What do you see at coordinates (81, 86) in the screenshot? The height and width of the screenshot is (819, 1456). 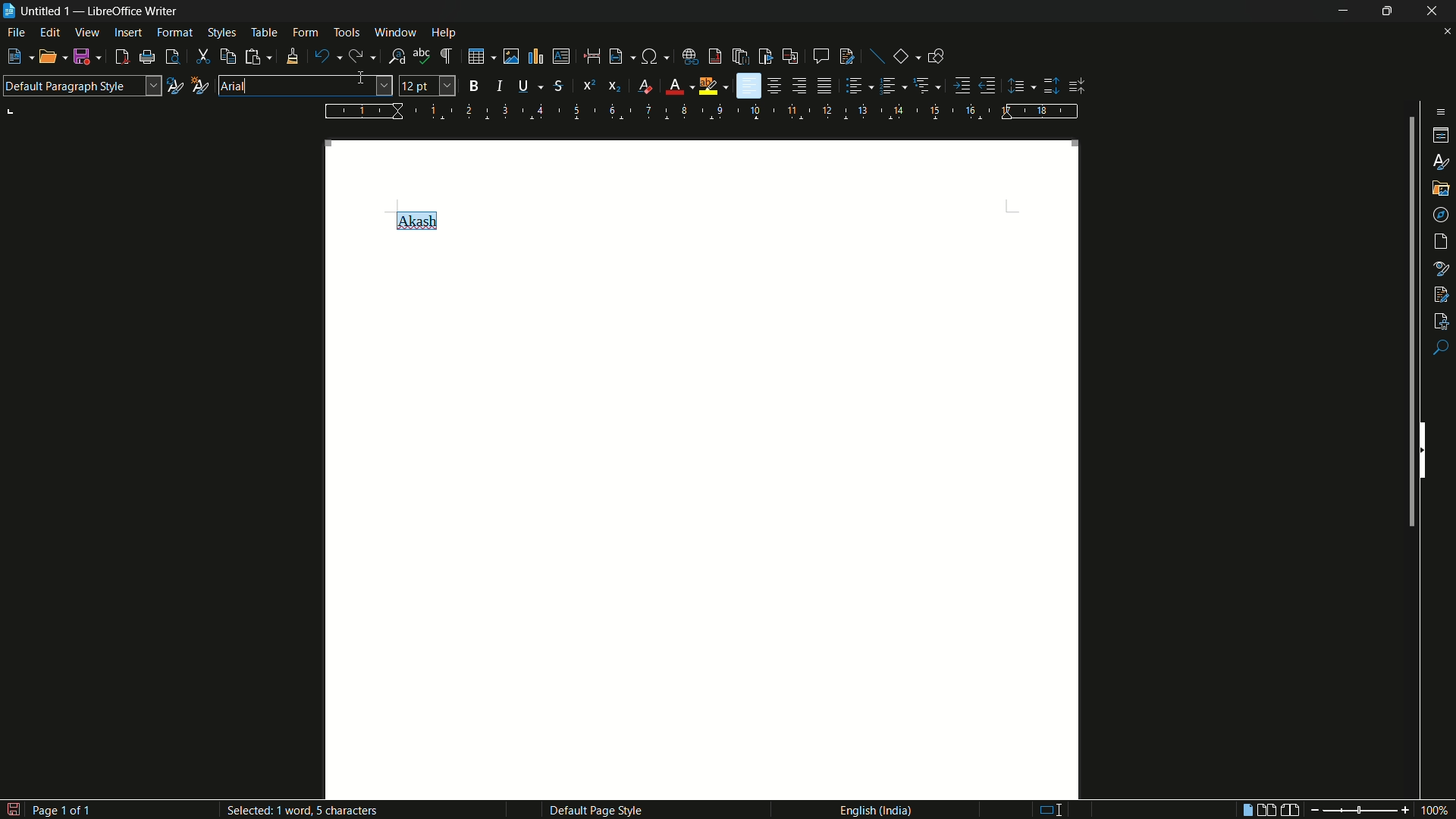 I see `paragraph style` at bounding box center [81, 86].